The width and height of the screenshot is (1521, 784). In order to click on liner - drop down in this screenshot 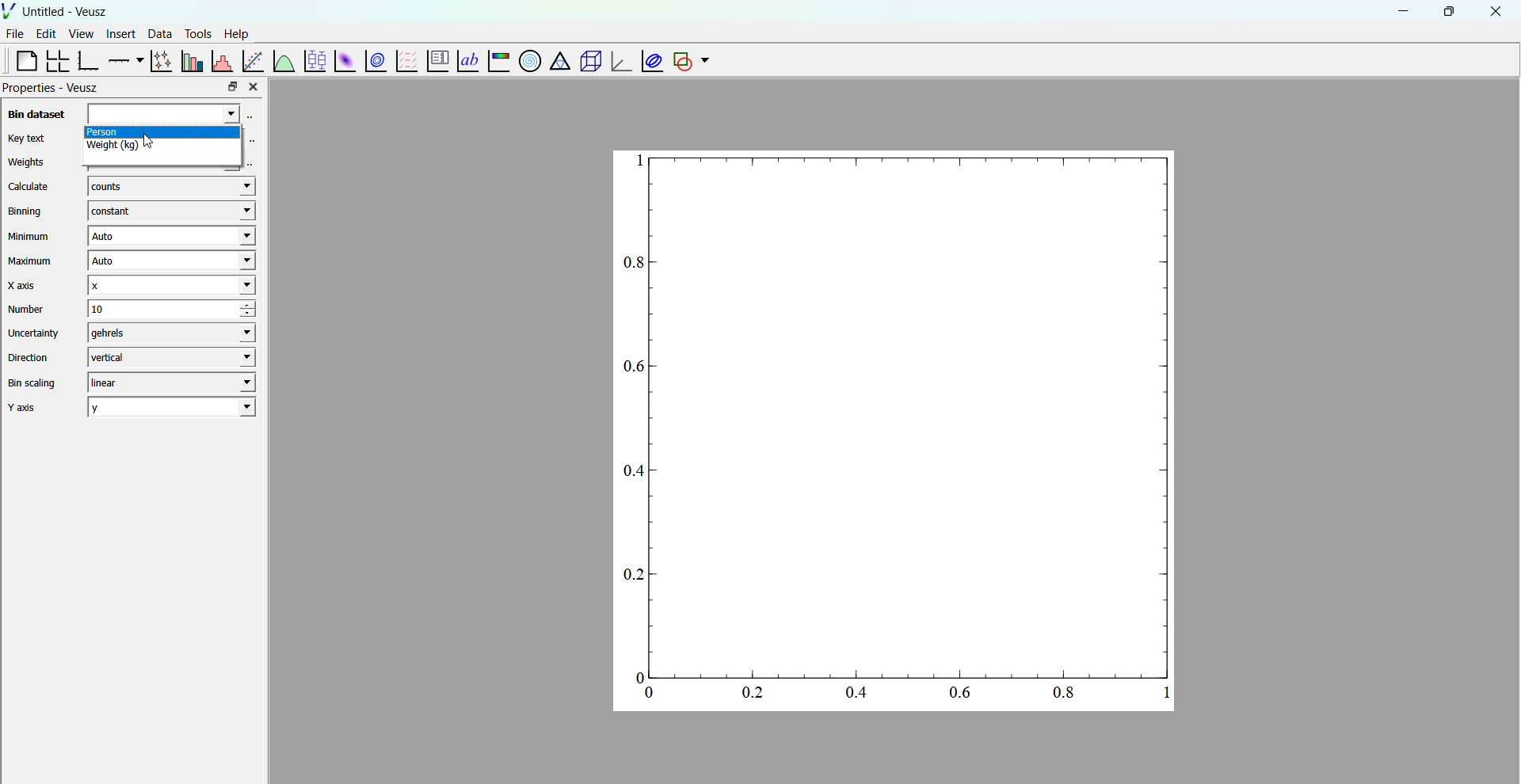, I will do `click(168, 382)`.